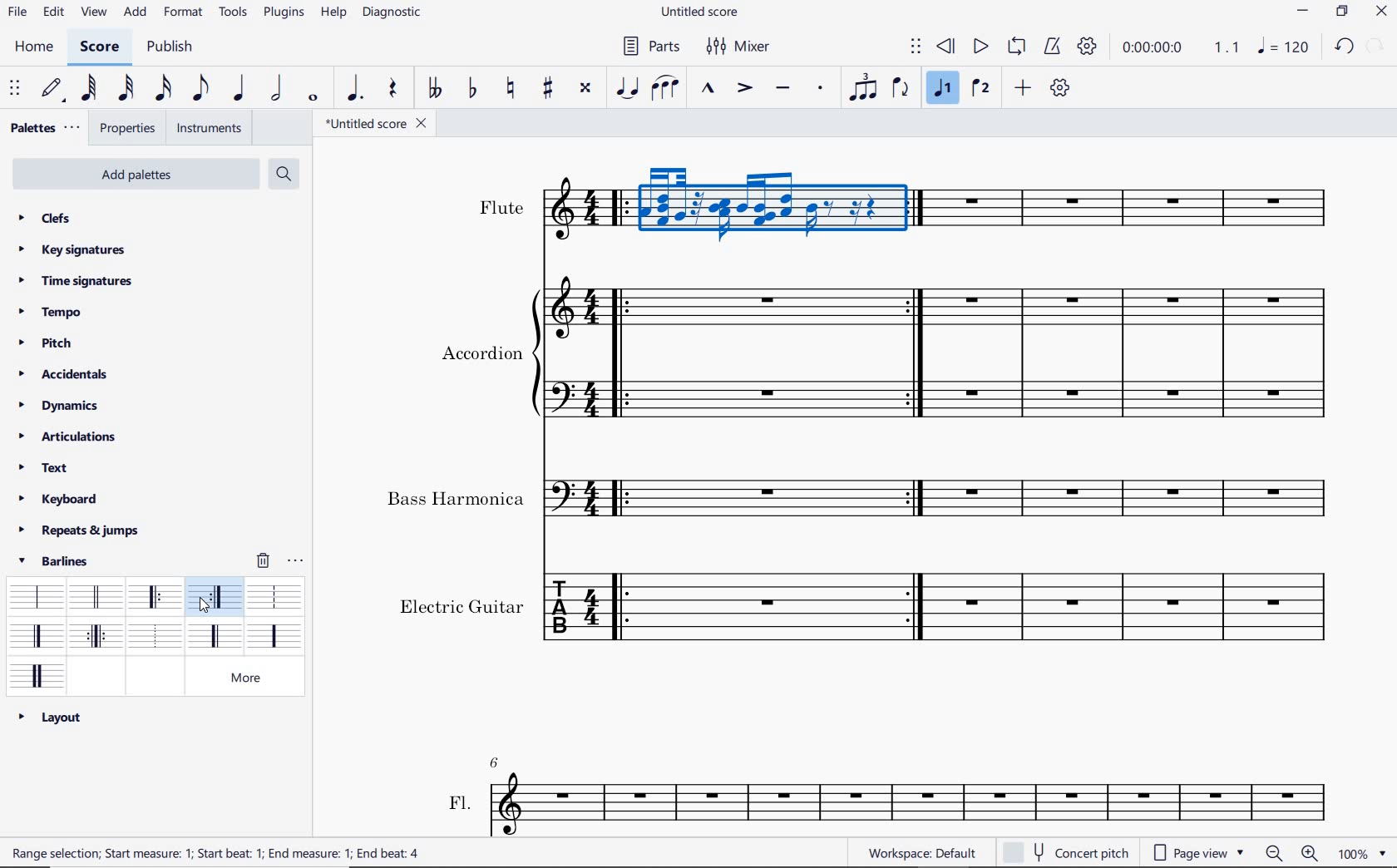 The height and width of the screenshot is (868, 1397). What do you see at coordinates (87, 89) in the screenshot?
I see `64th note` at bounding box center [87, 89].